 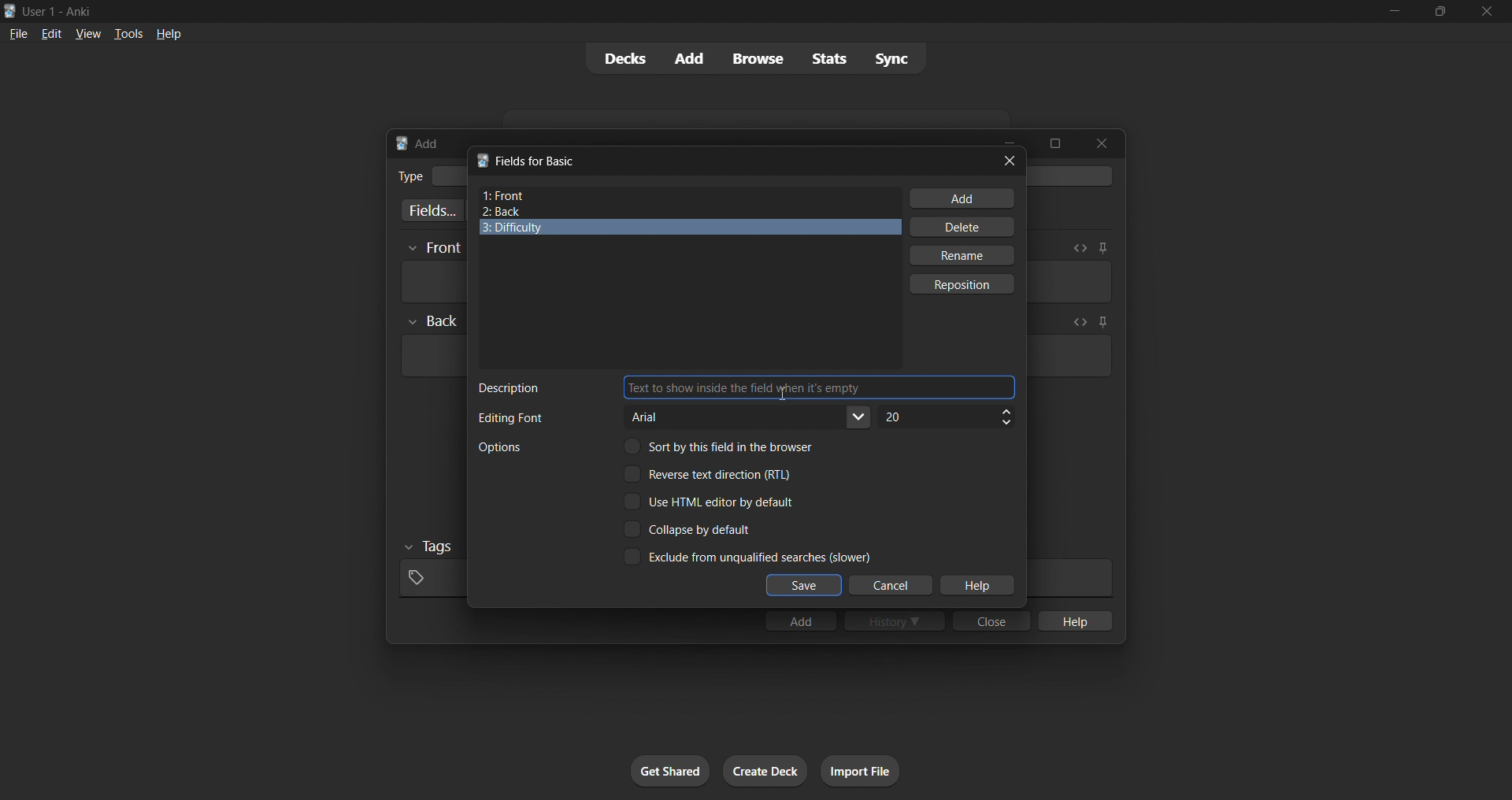 I want to click on close, so click(x=1487, y=12).